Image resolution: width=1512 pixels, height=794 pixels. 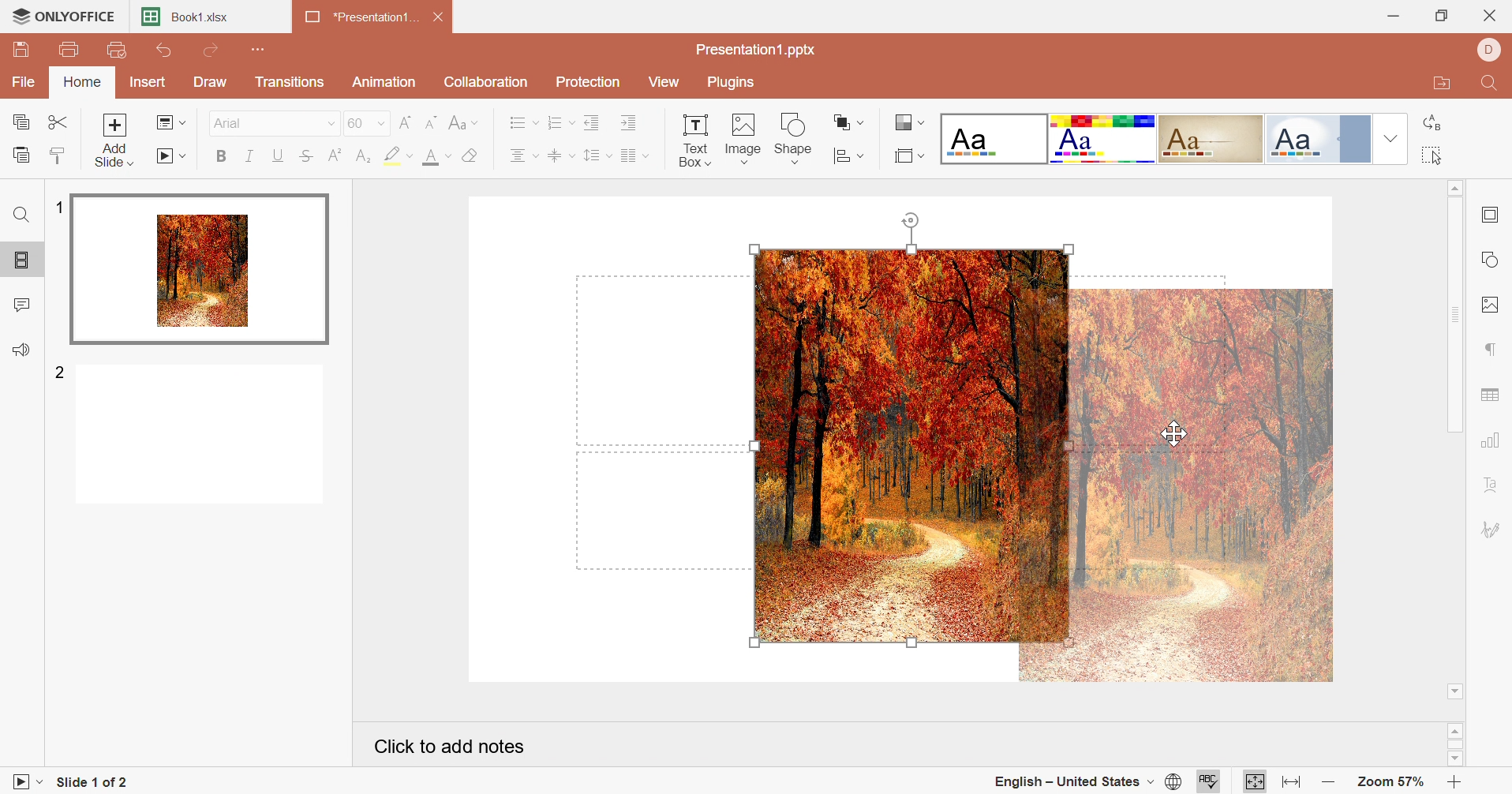 I want to click on Transitions, so click(x=291, y=83).